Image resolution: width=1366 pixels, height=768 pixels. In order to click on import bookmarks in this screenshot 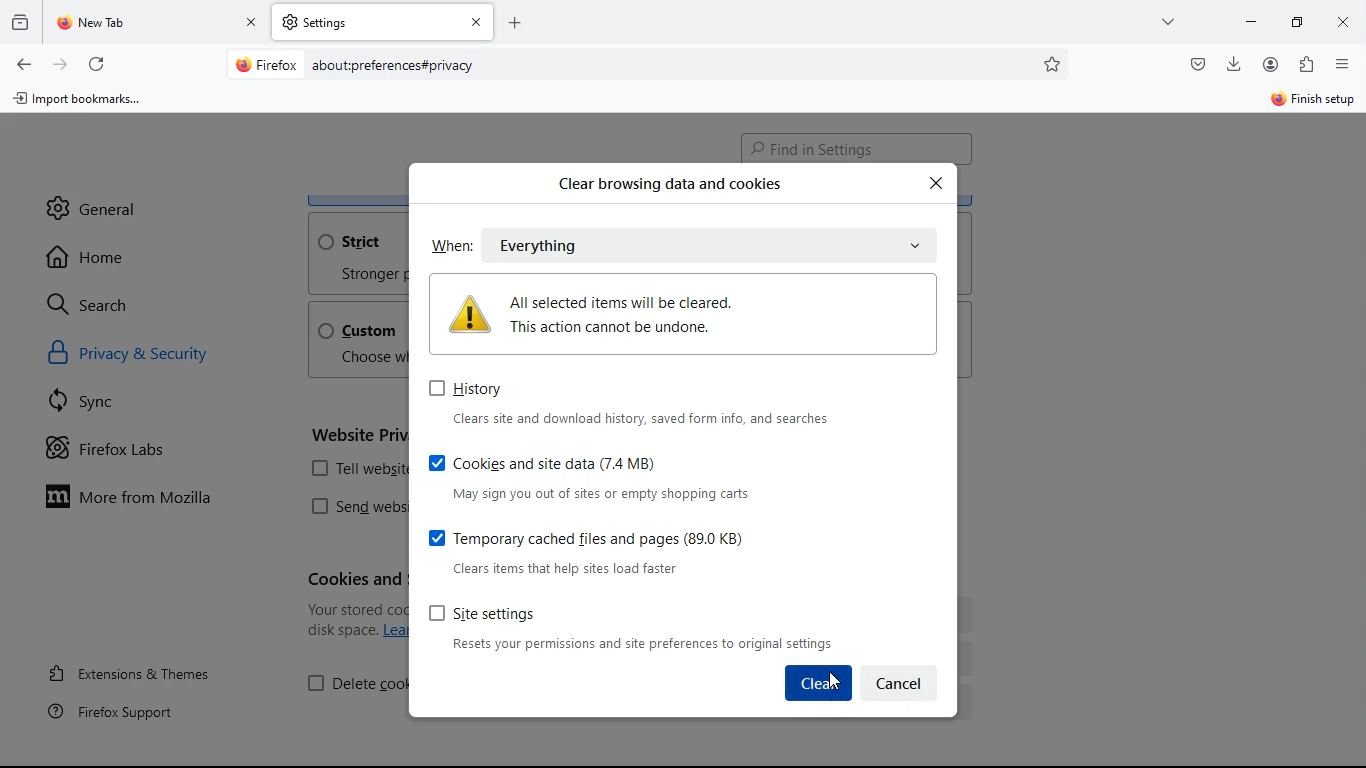, I will do `click(84, 103)`.